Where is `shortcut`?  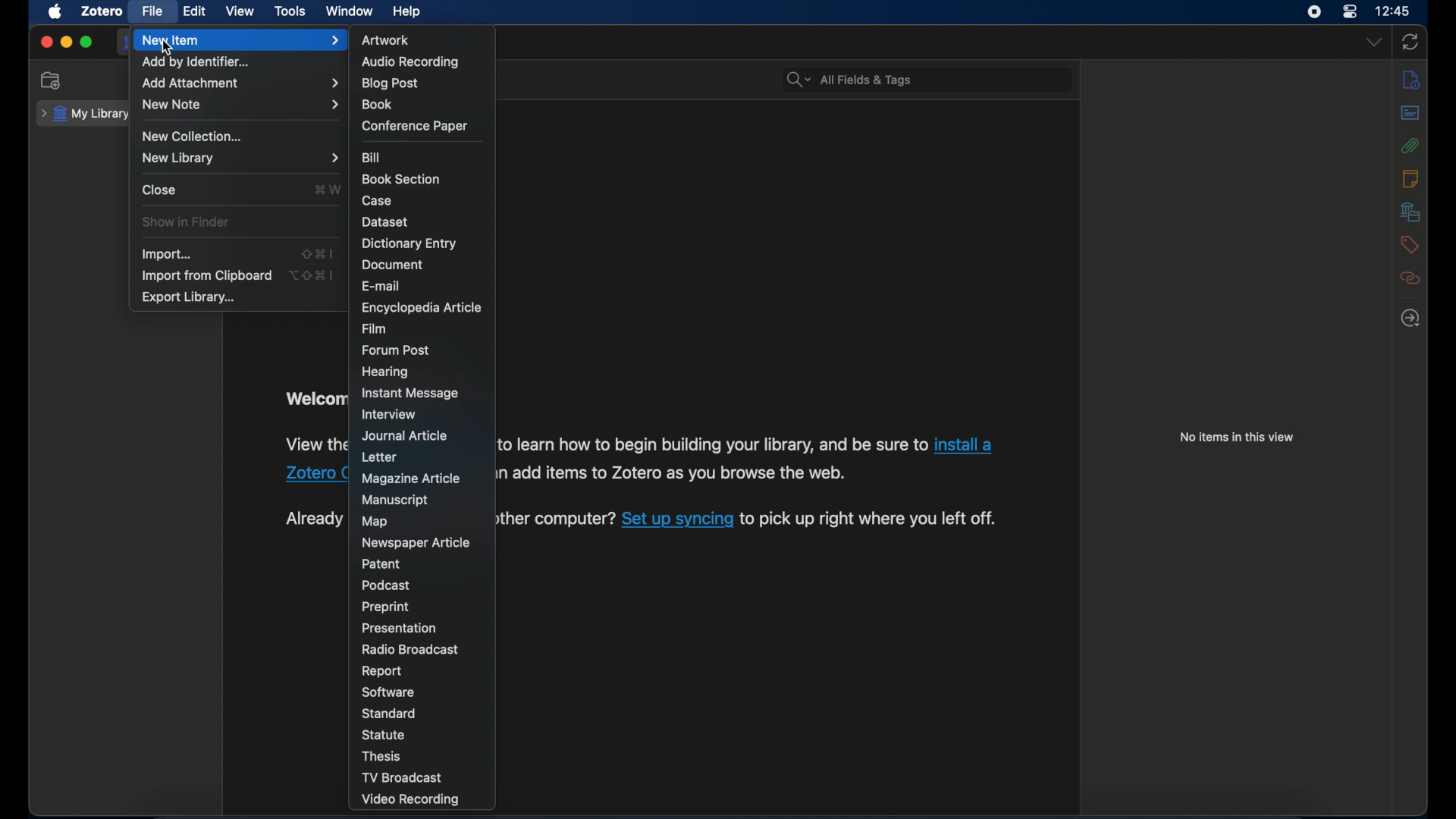
shortcut is located at coordinates (326, 189).